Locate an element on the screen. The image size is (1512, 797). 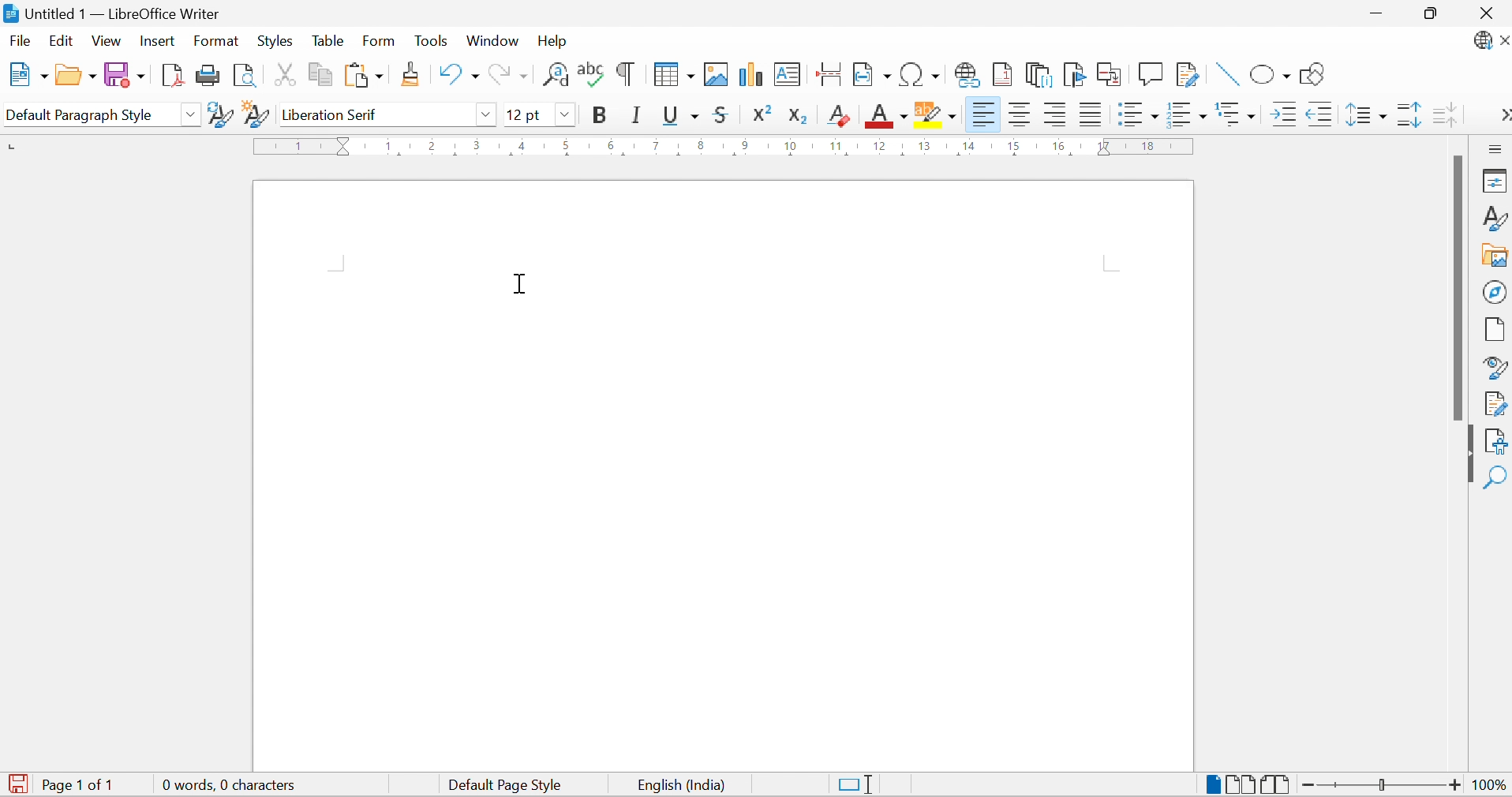
The document has been modified. Click to save the document. is located at coordinates (17, 784).